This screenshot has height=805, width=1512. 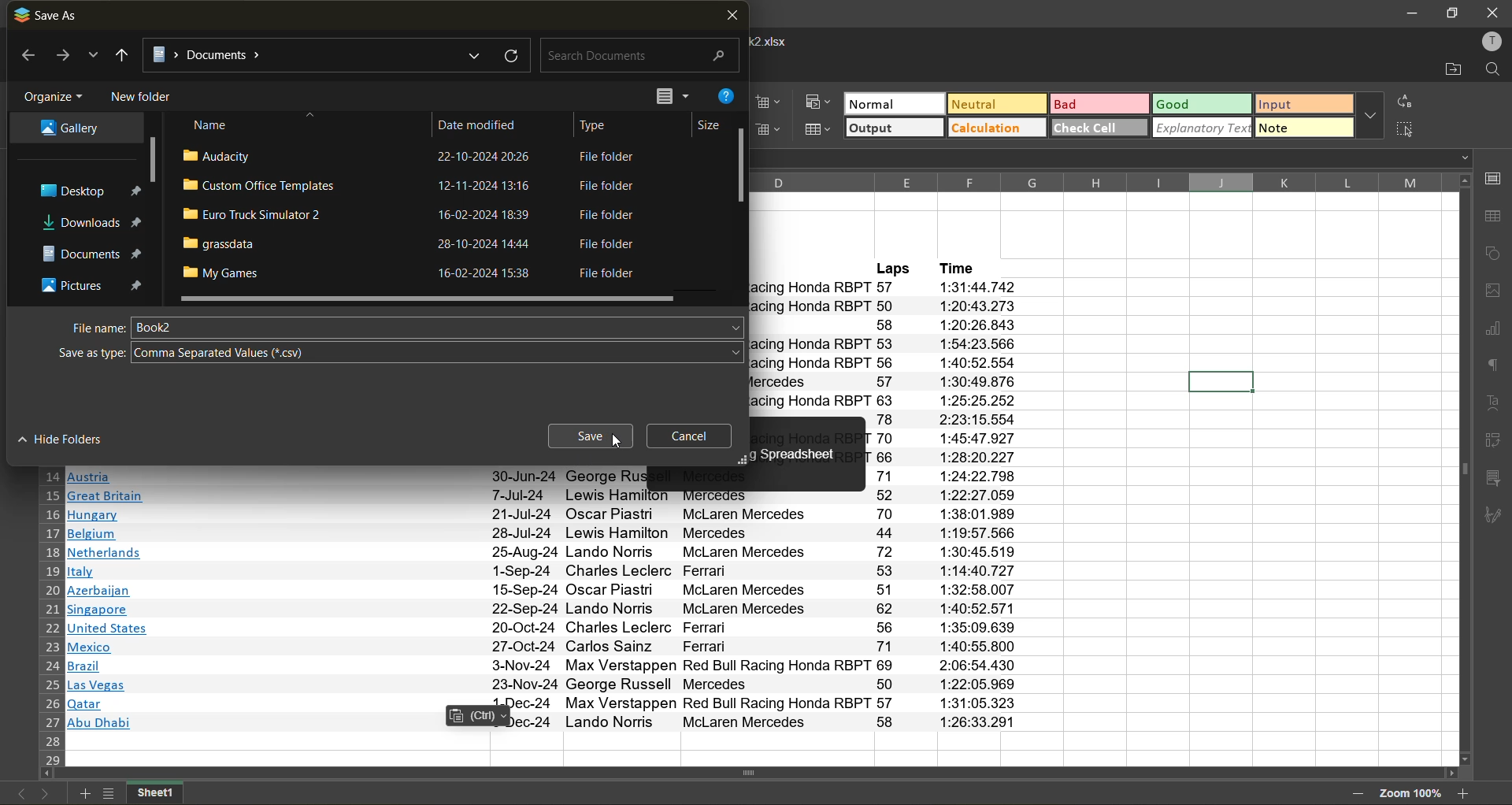 I want to click on next, so click(x=61, y=56).